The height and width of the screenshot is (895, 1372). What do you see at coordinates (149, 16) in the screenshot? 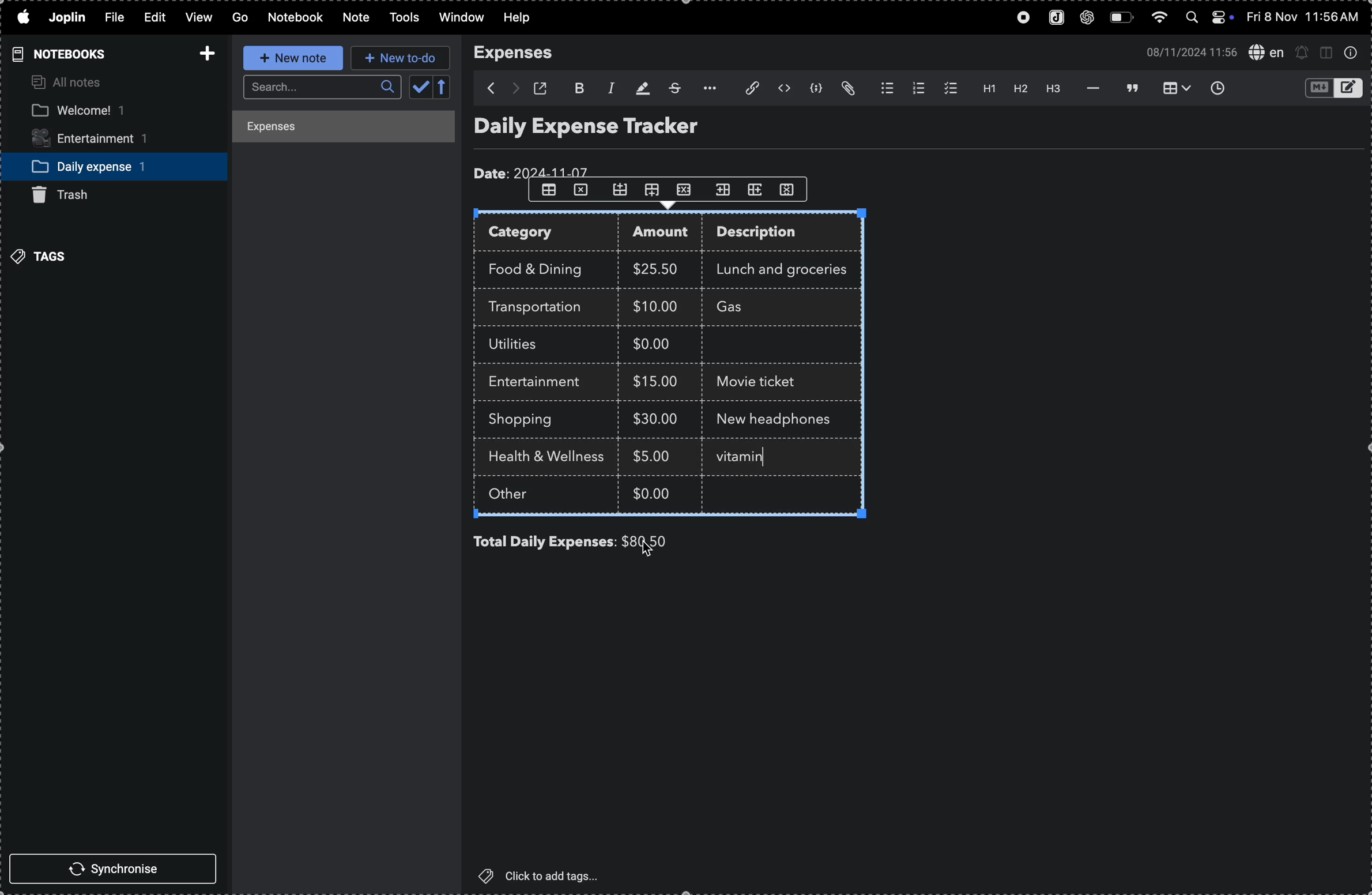
I see `edit` at bounding box center [149, 16].